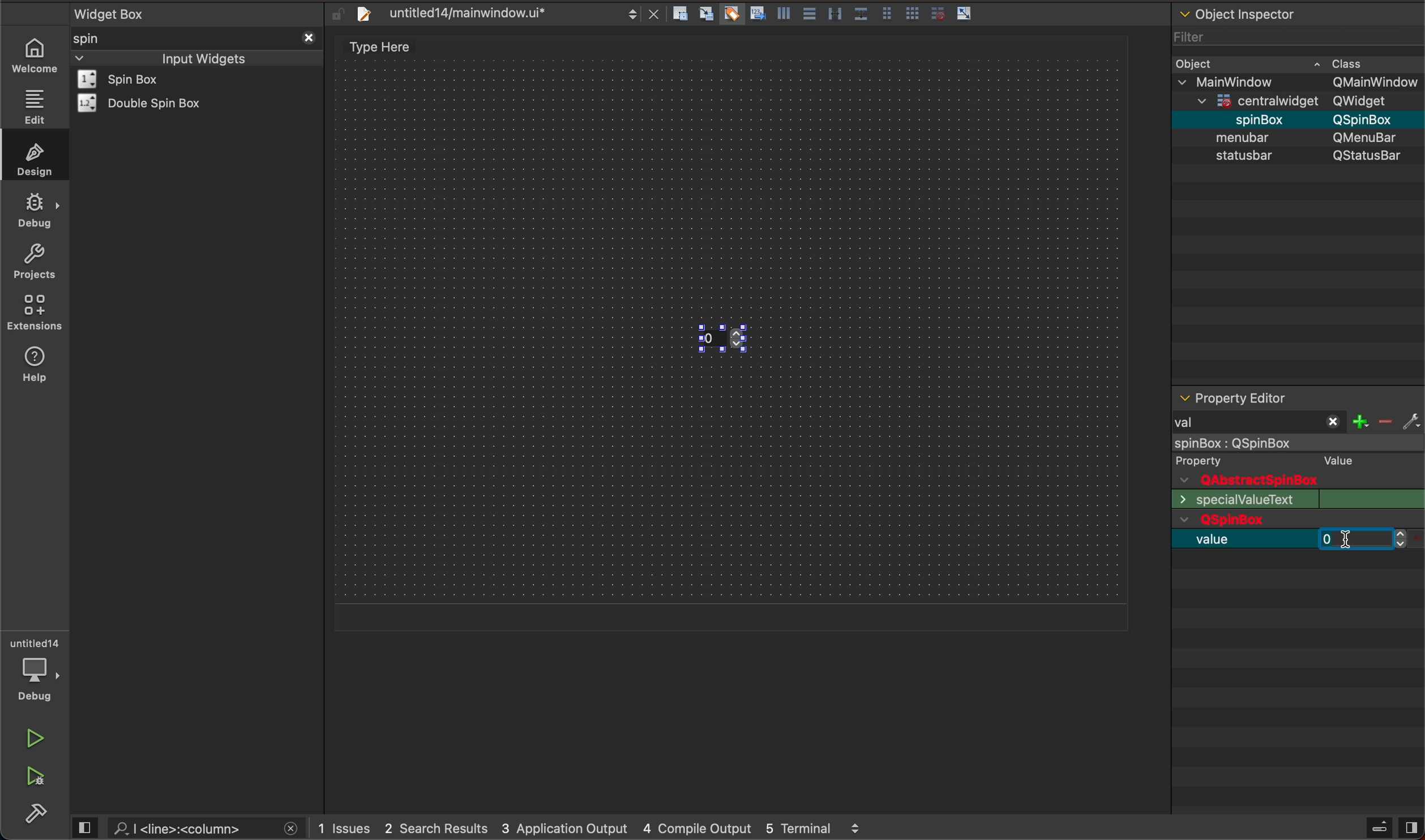 Image resolution: width=1425 pixels, height=840 pixels. I want to click on editor, so click(1233, 398).